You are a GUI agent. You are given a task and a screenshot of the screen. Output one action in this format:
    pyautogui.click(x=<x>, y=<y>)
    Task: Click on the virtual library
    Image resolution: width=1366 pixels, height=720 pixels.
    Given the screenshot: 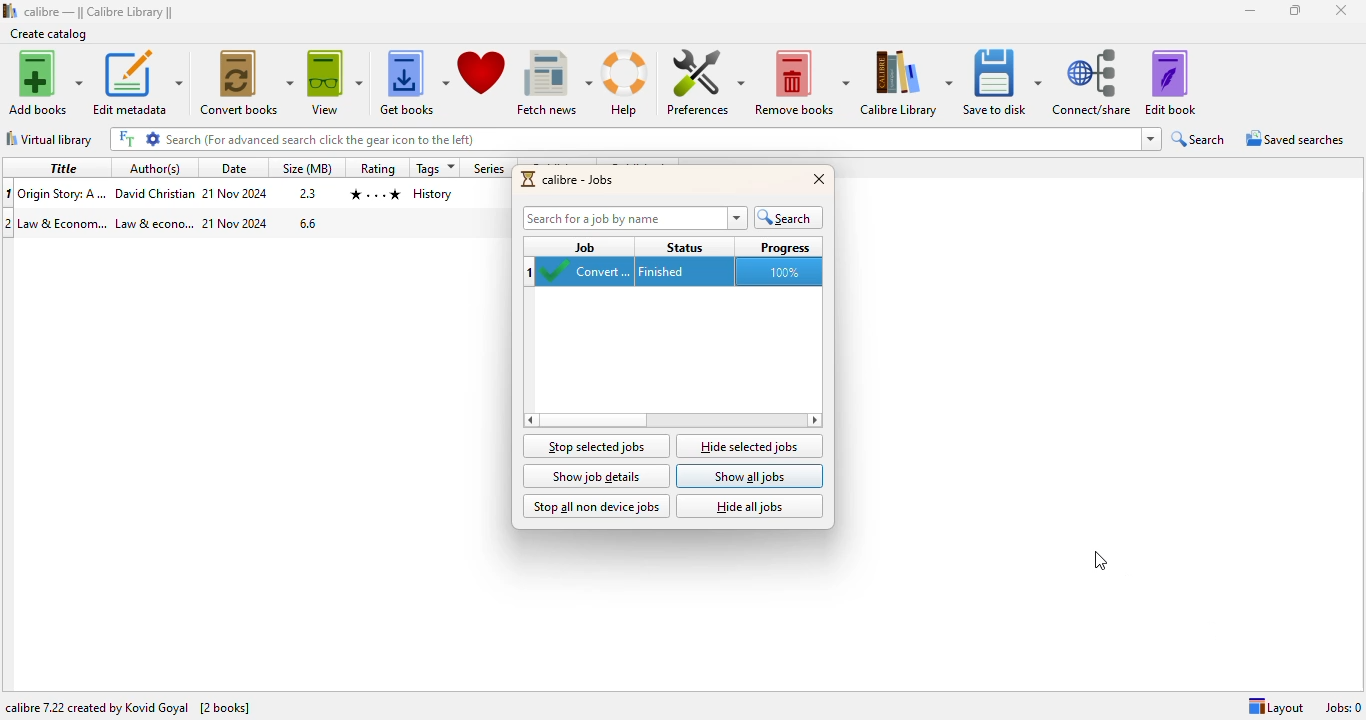 What is the action you would take?
    pyautogui.click(x=50, y=138)
    